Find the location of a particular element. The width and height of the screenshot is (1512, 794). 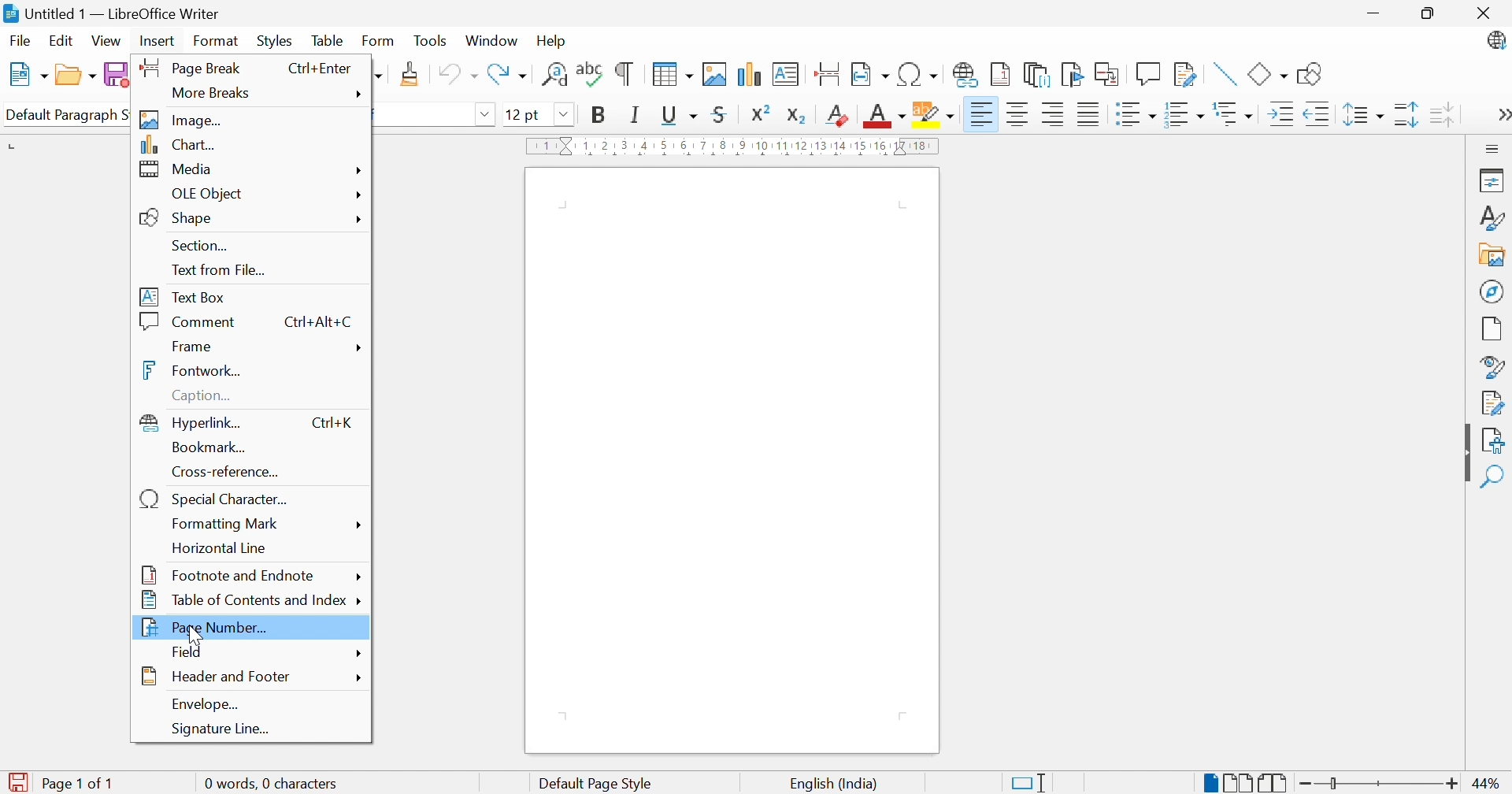

Properties is located at coordinates (1489, 180).